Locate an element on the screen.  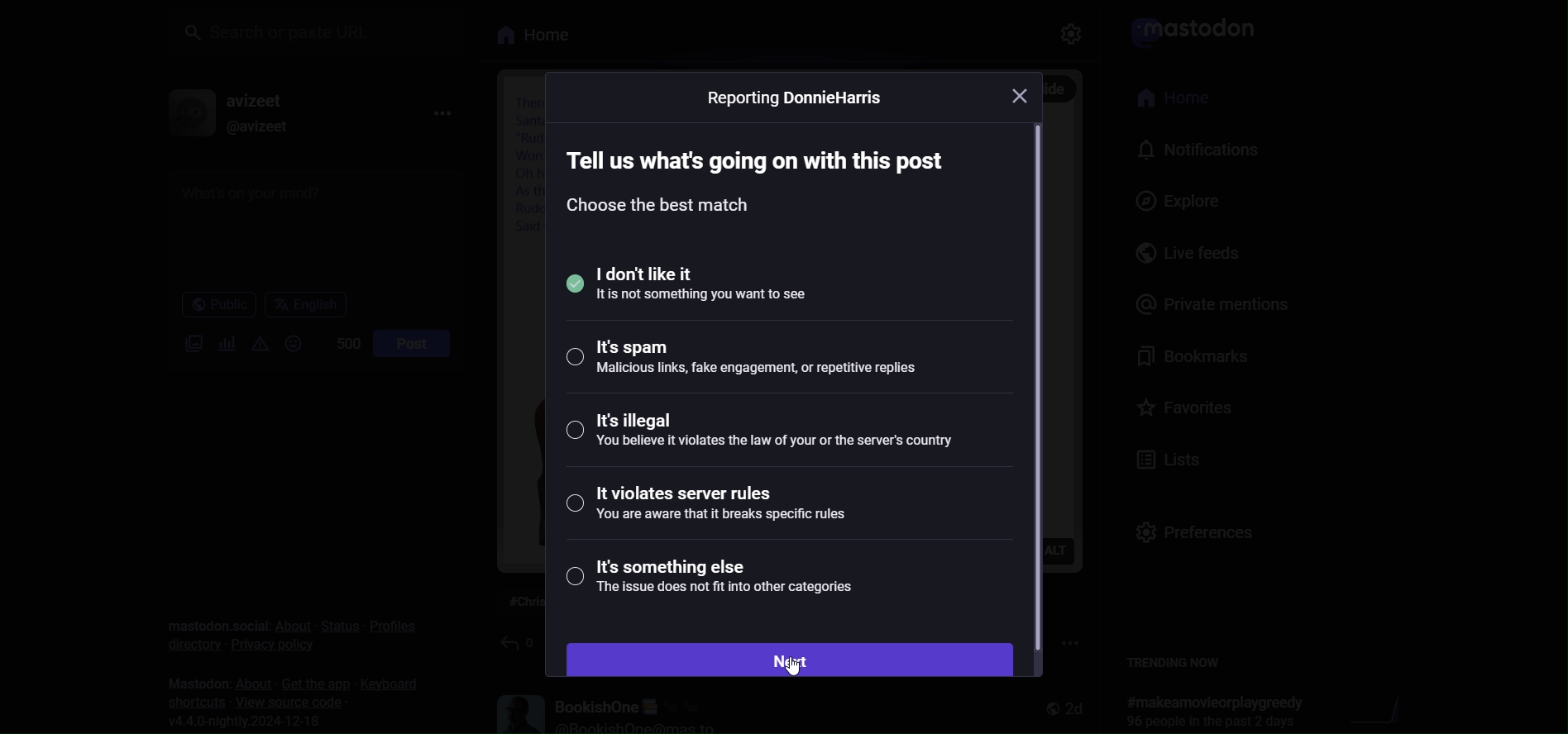
directory is located at coordinates (185, 643).